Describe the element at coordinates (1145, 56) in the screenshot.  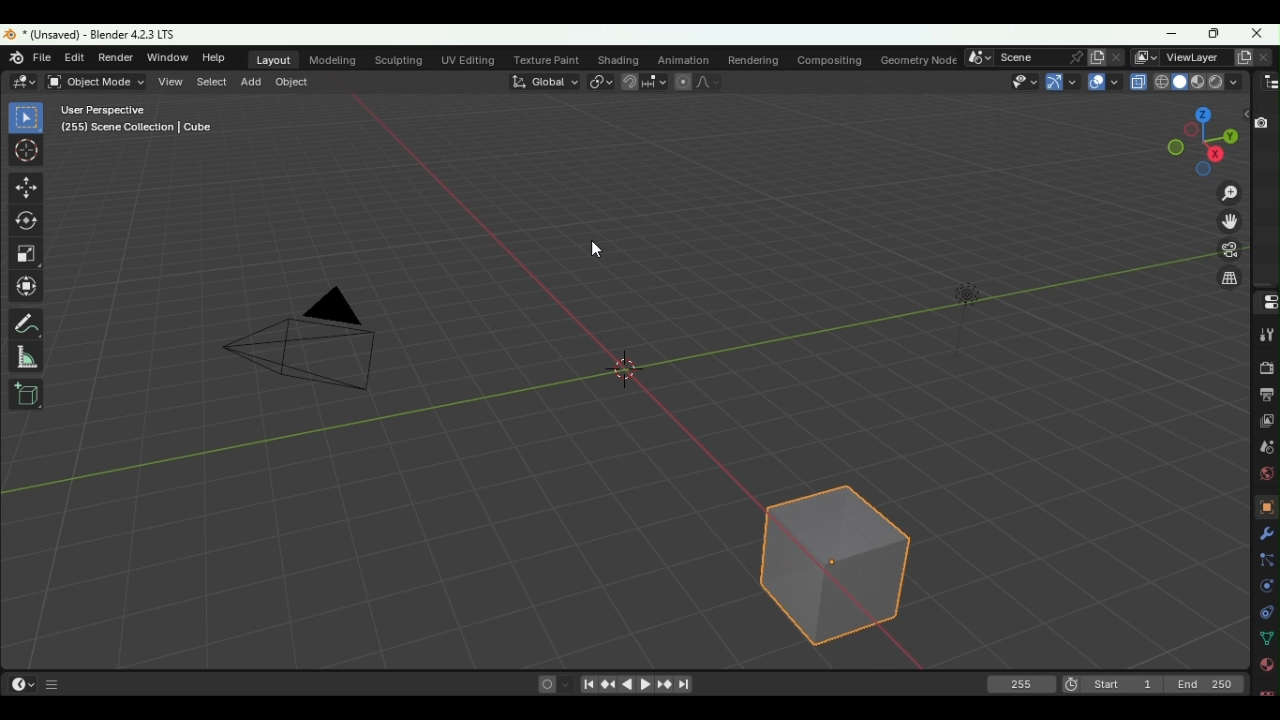
I see `The active workspace view layer showing in the window` at that location.